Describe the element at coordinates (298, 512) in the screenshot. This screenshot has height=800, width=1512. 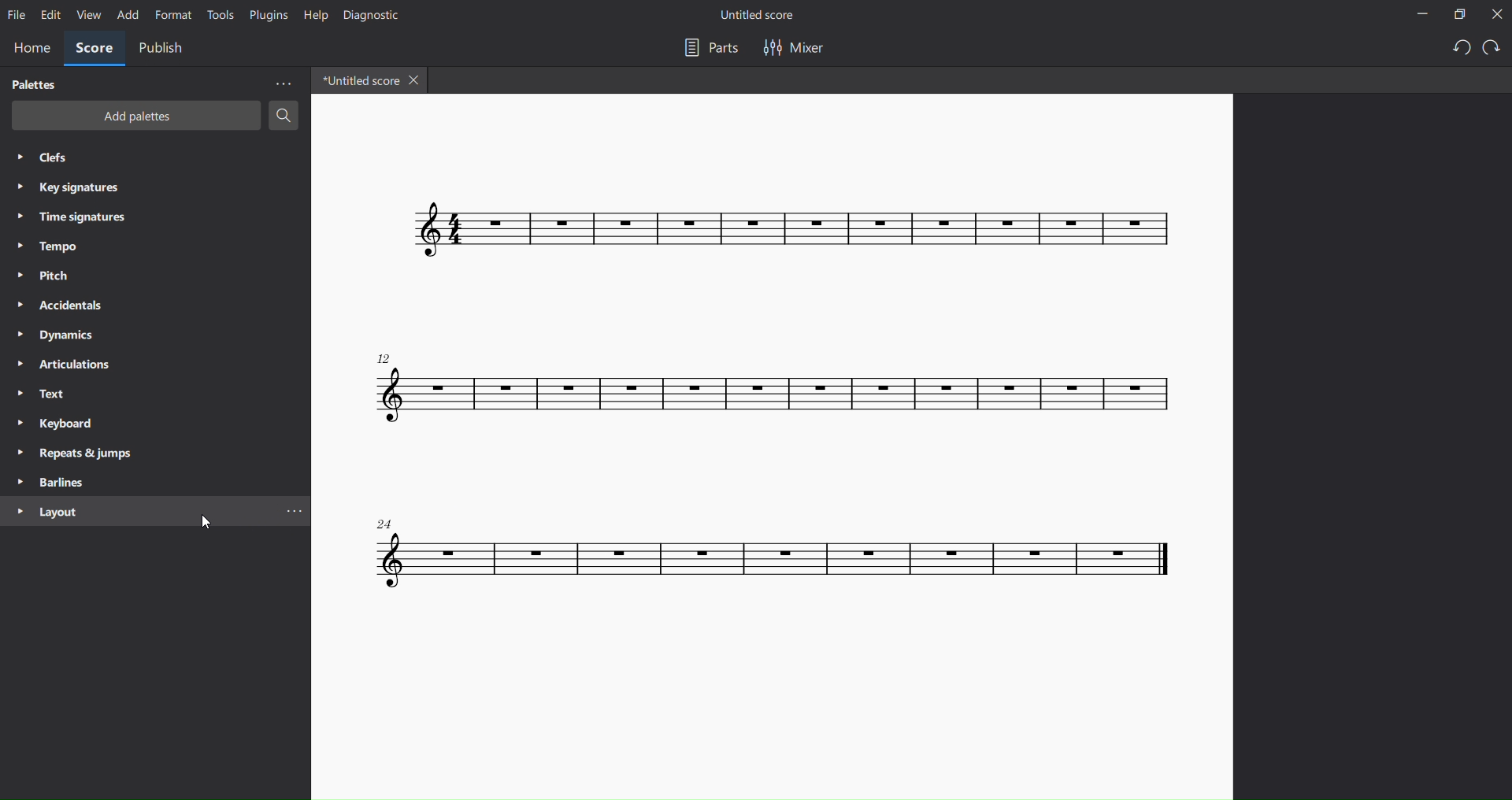
I see `more layout options` at that location.